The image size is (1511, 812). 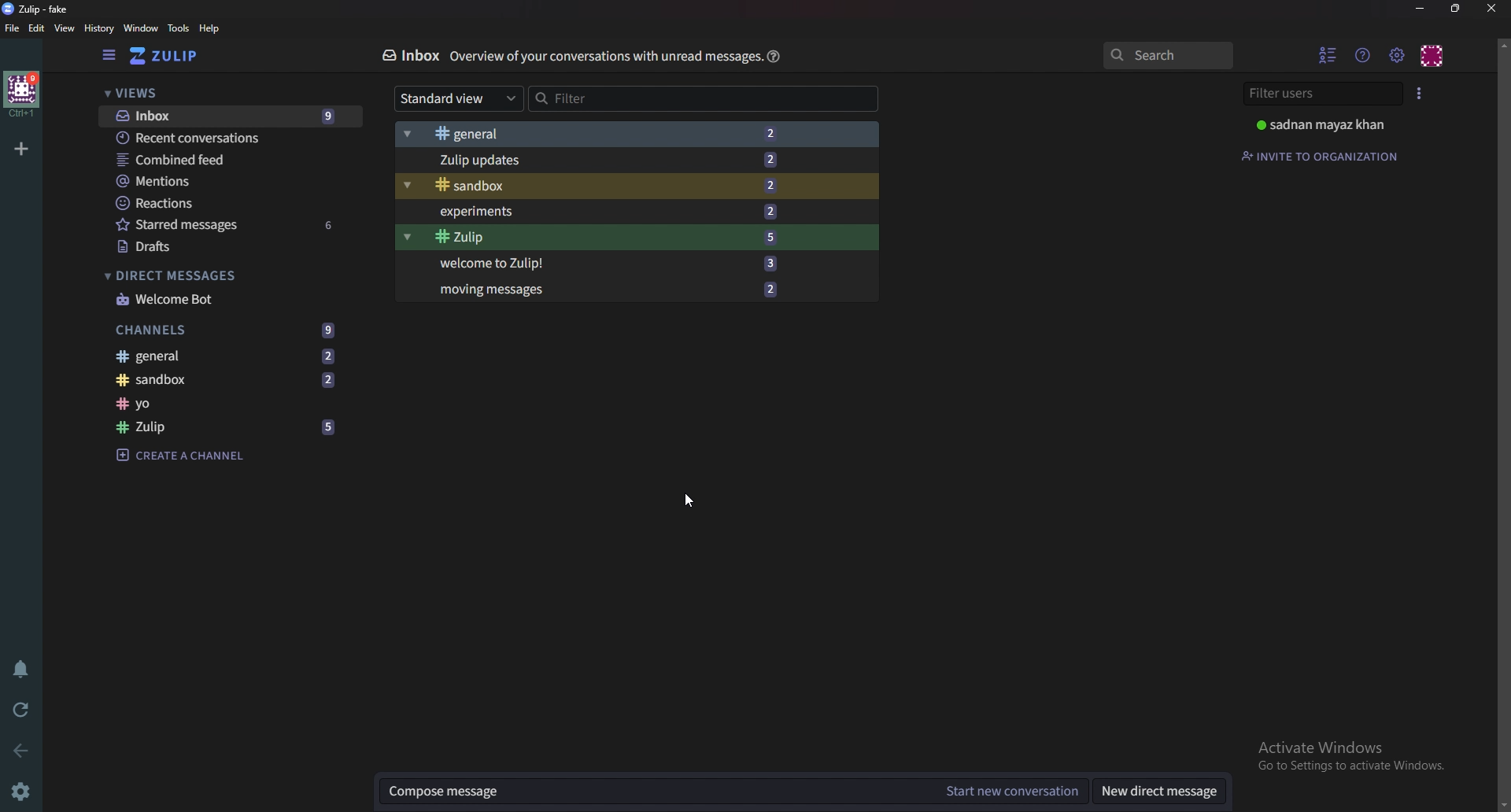 What do you see at coordinates (230, 428) in the screenshot?
I see `Zulip` at bounding box center [230, 428].